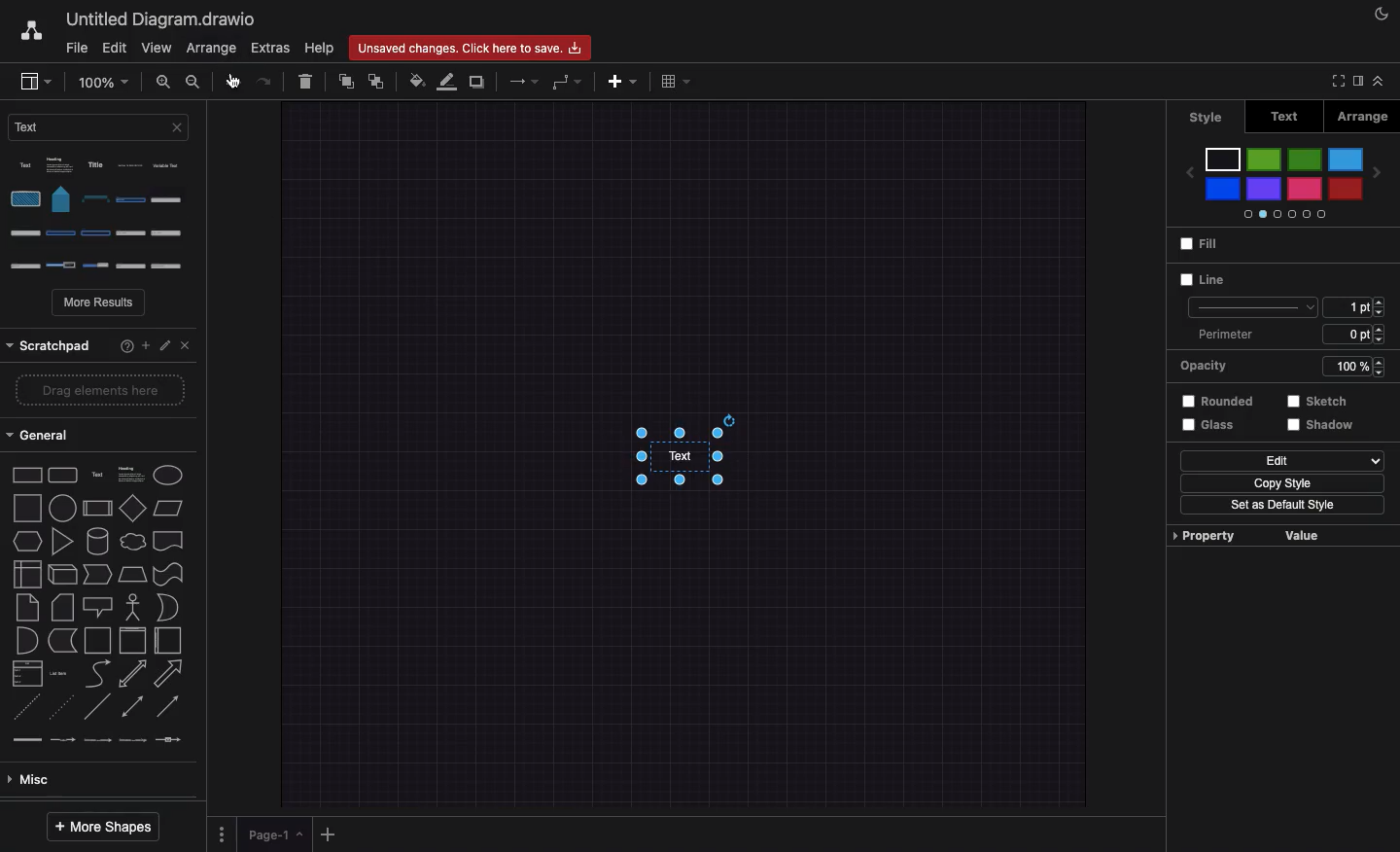 The image size is (1400, 852). What do you see at coordinates (30, 30) in the screenshot?
I see `Draw.io` at bounding box center [30, 30].